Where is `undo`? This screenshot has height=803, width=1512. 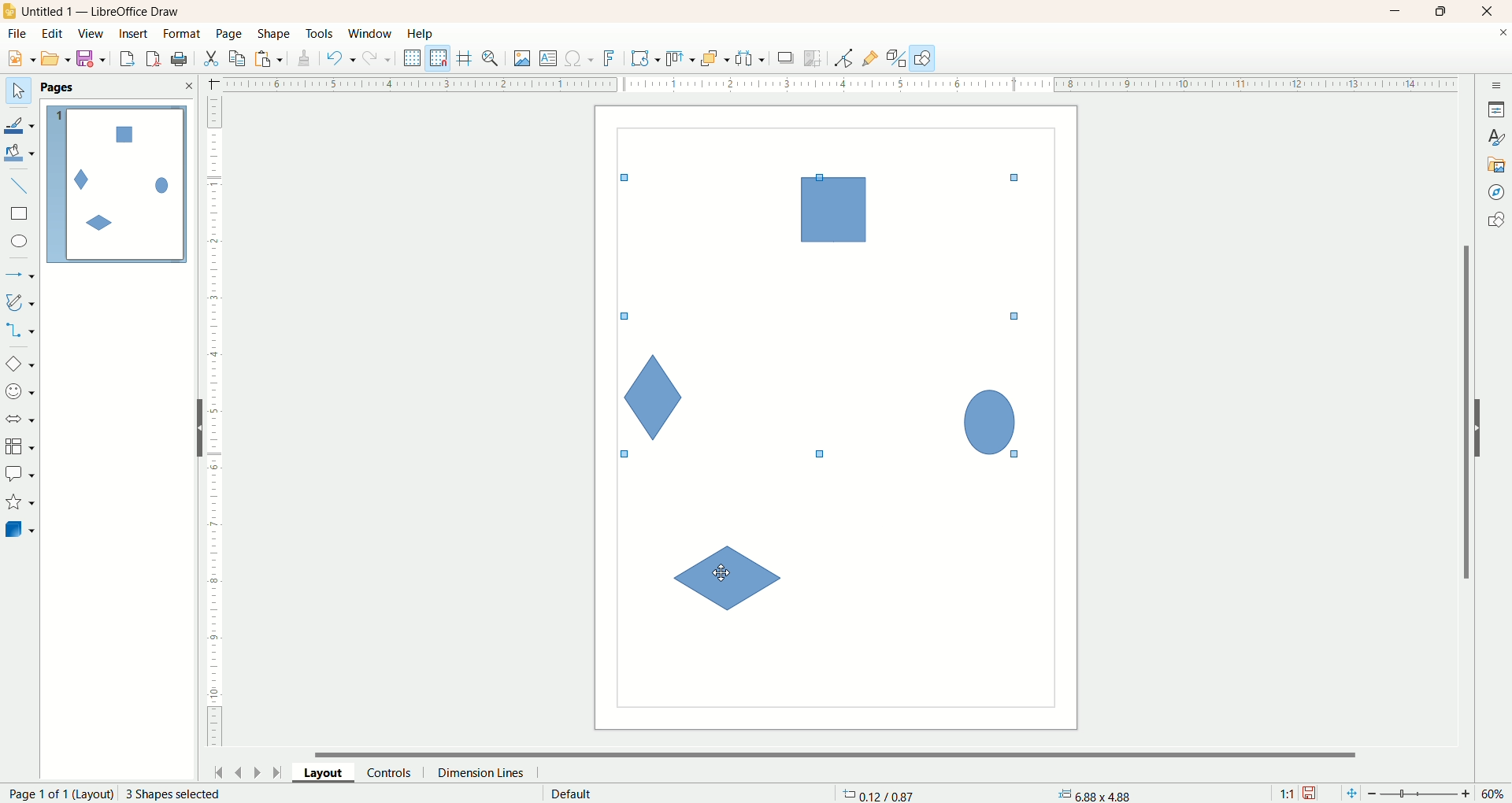
undo is located at coordinates (341, 58).